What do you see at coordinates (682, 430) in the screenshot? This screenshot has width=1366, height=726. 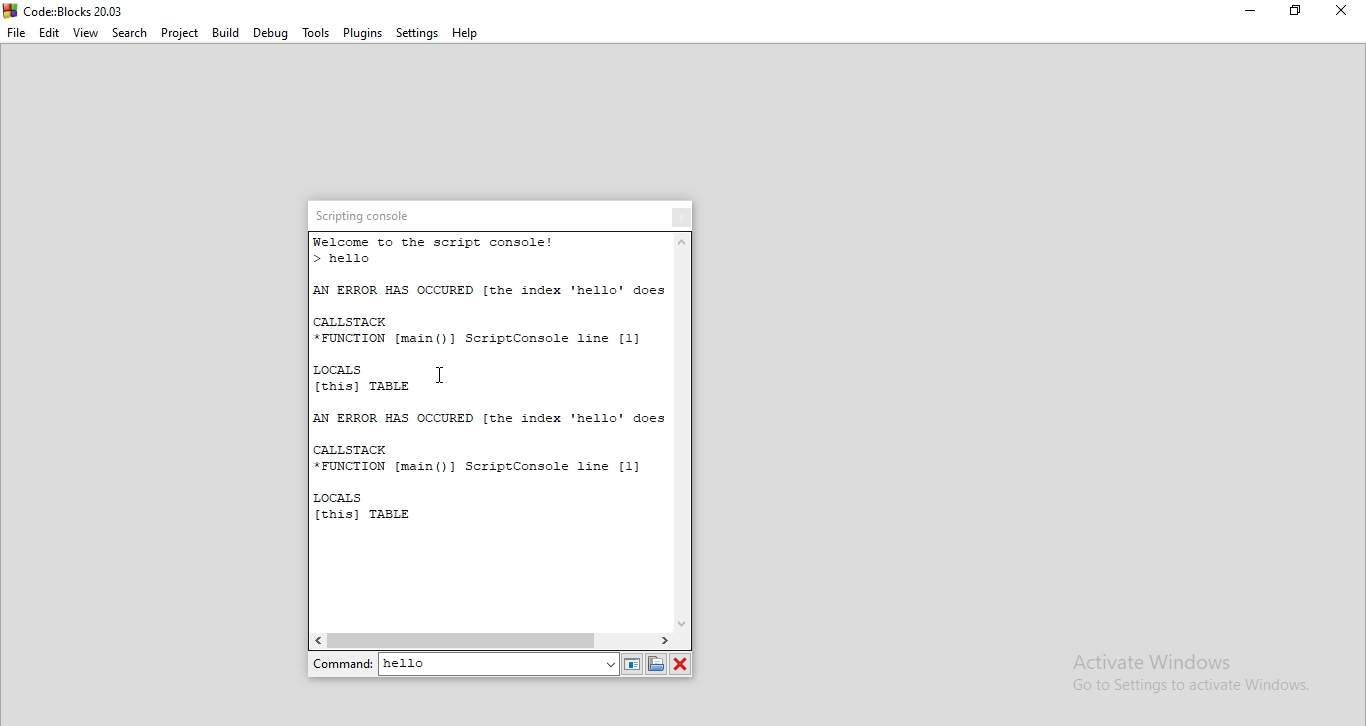 I see `scroll bar` at bounding box center [682, 430].